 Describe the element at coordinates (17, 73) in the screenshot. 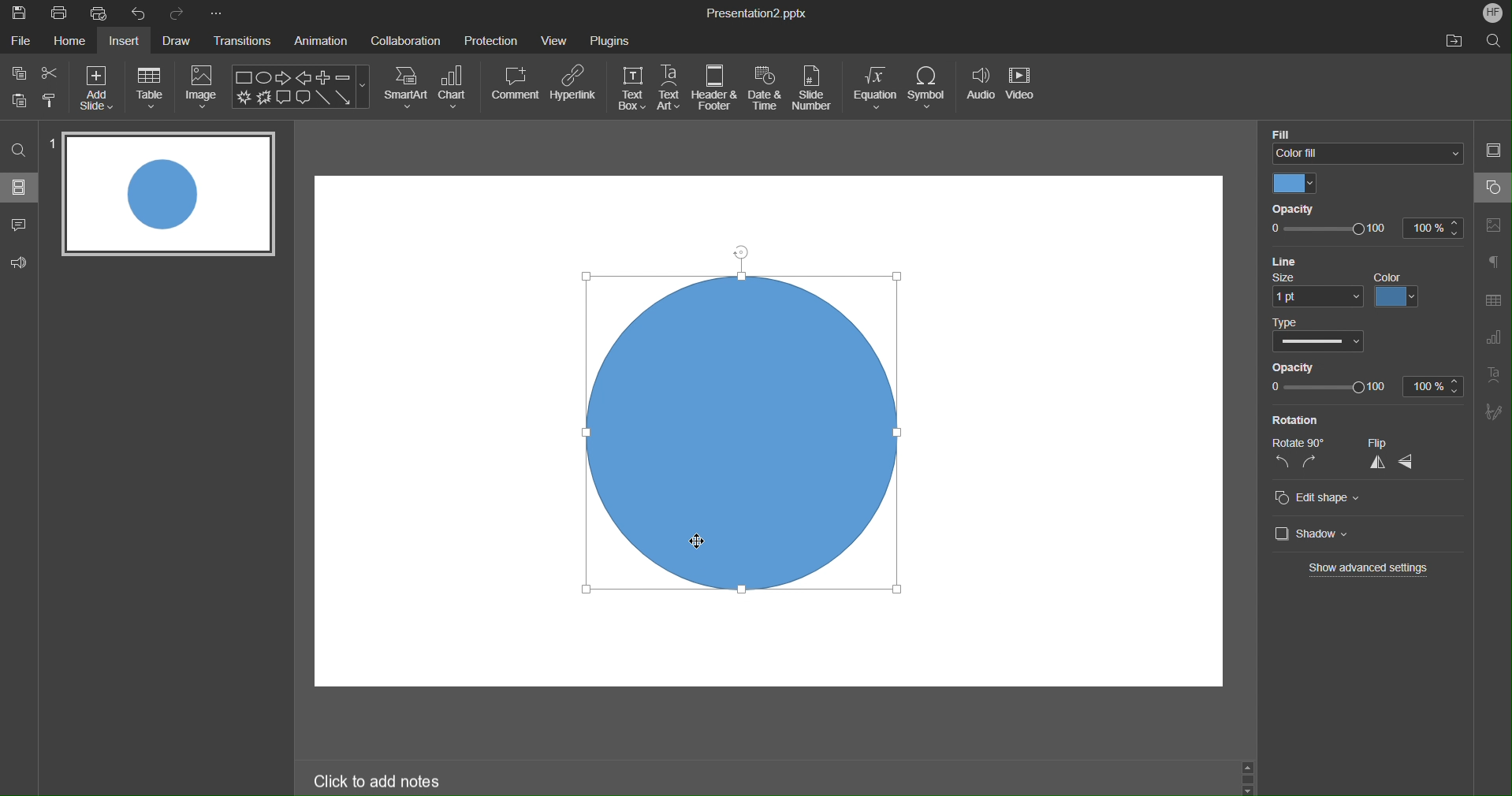

I see `Copy` at that location.